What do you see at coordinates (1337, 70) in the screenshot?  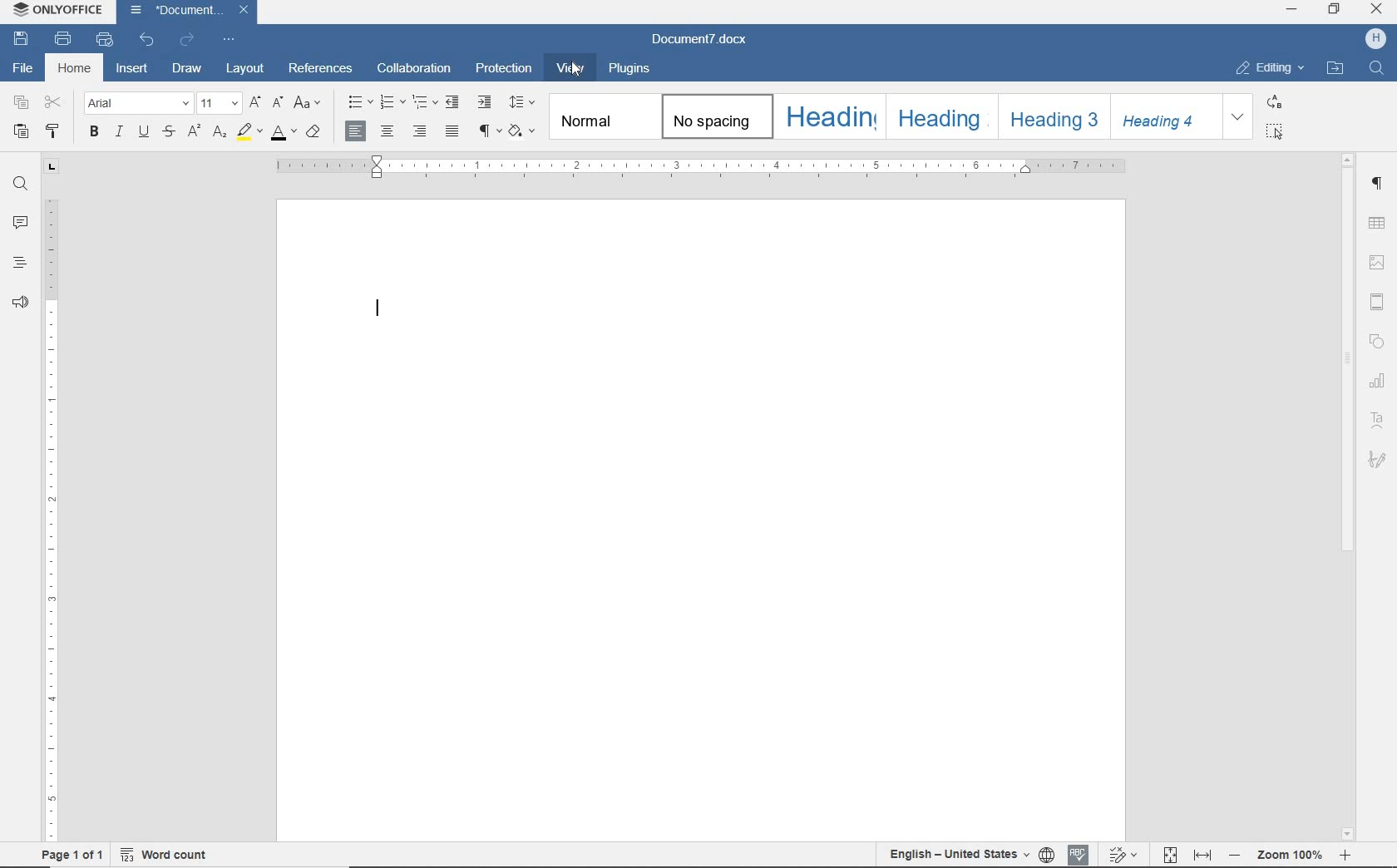 I see `OPEN FILE LOCATION` at bounding box center [1337, 70].